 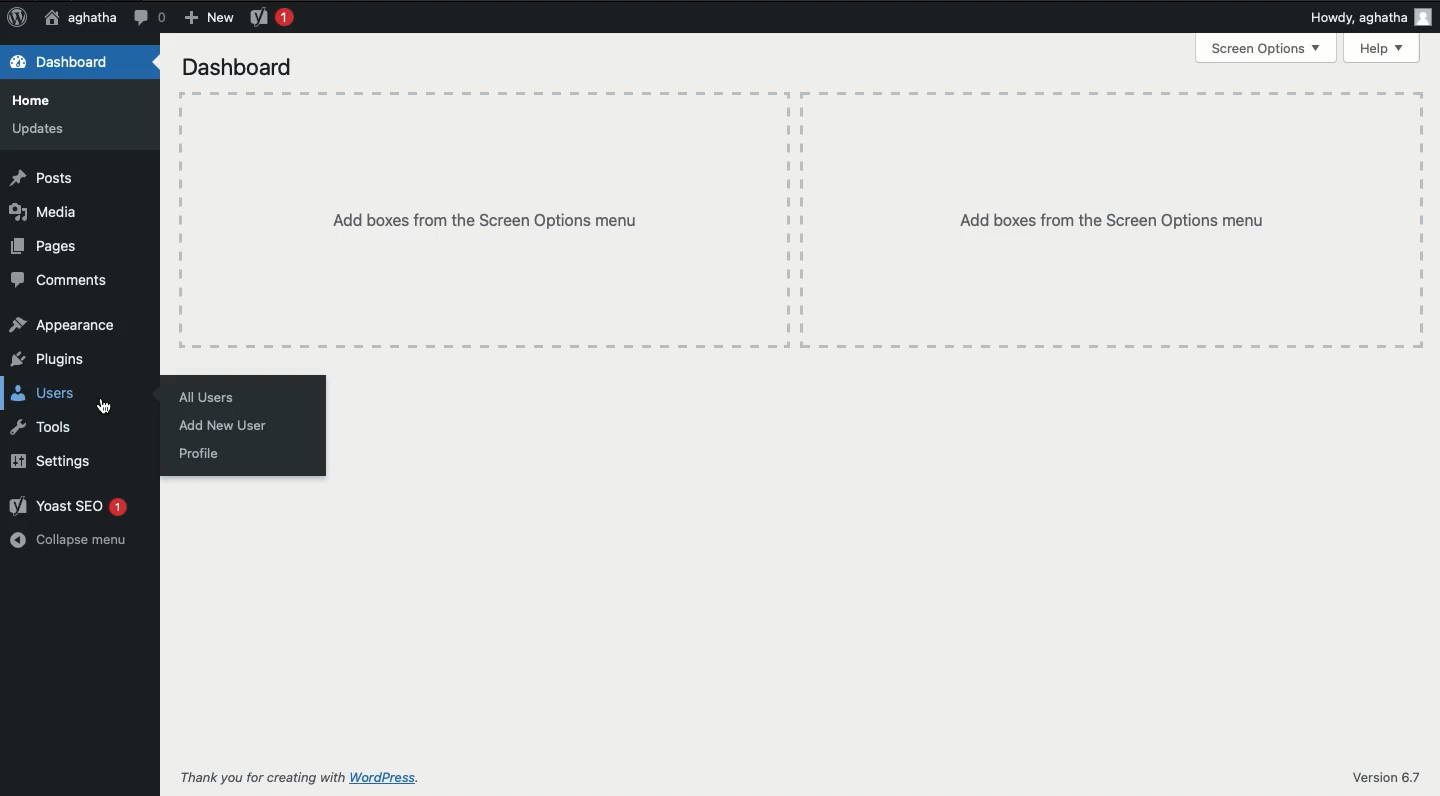 What do you see at coordinates (1371, 17) in the screenshot?
I see `Howdy, aghatha` at bounding box center [1371, 17].